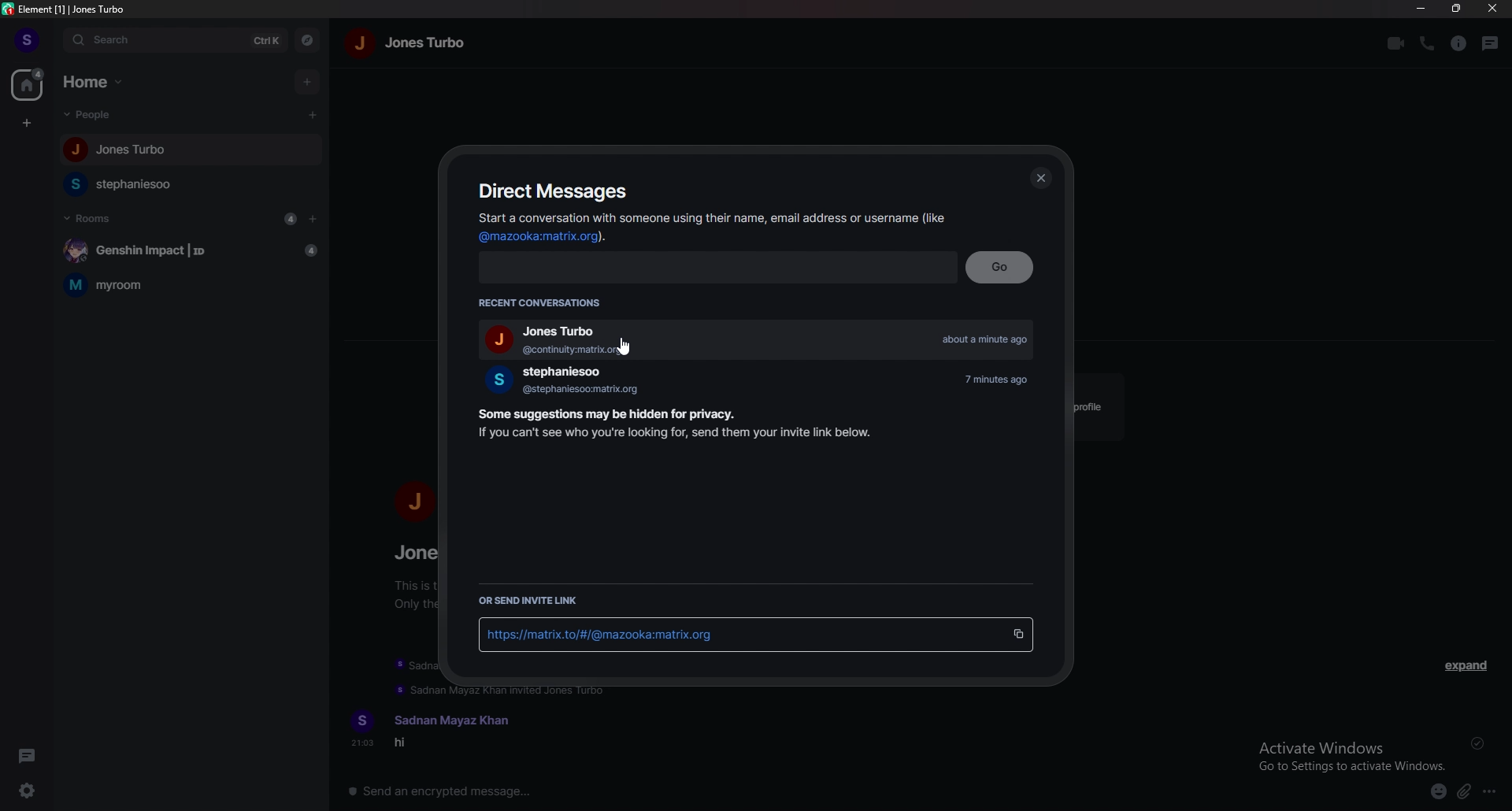 This screenshot has height=811, width=1512. Describe the element at coordinates (94, 115) in the screenshot. I see `people` at that location.